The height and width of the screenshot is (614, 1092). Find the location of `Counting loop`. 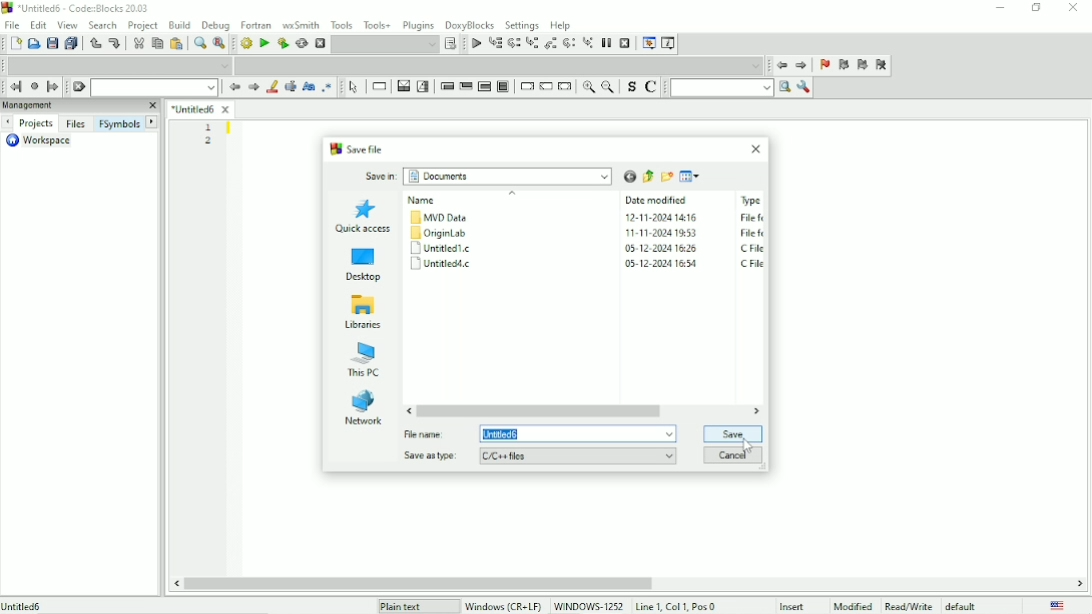

Counting loop is located at coordinates (484, 86).